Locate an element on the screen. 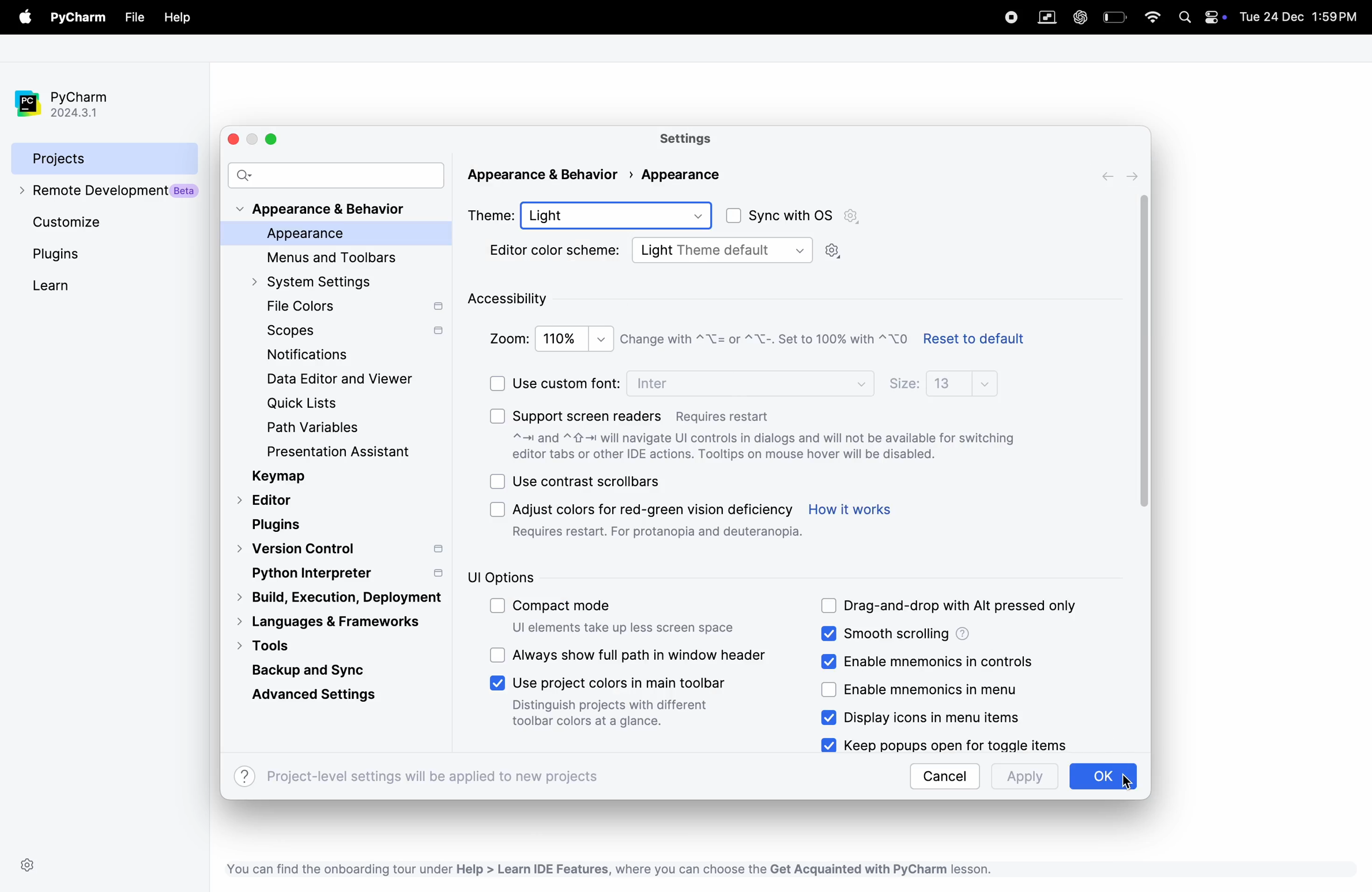  checkboxes is located at coordinates (495, 513).